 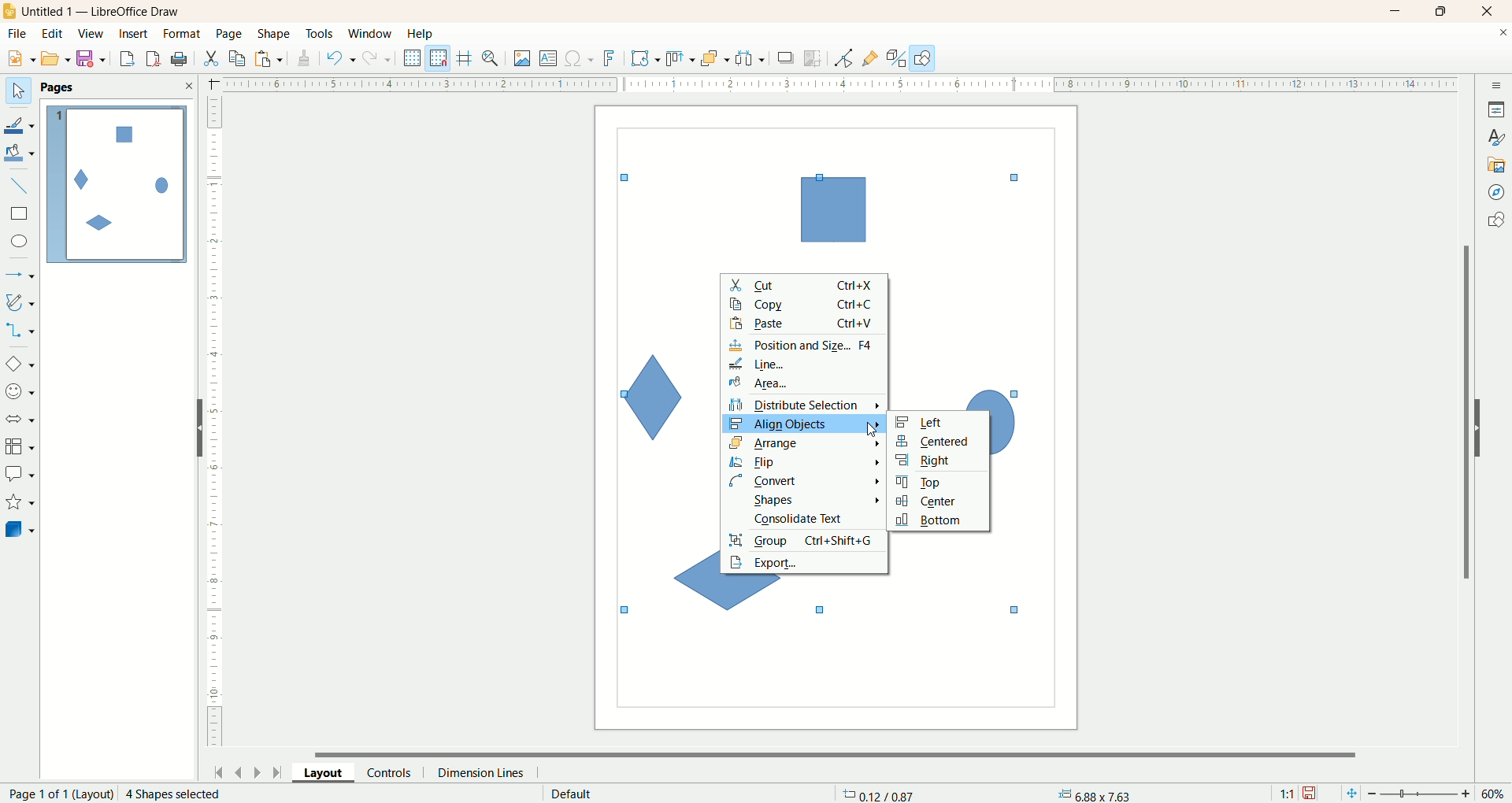 What do you see at coordinates (305, 56) in the screenshot?
I see `clone formatting` at bounding box center [305, 56].